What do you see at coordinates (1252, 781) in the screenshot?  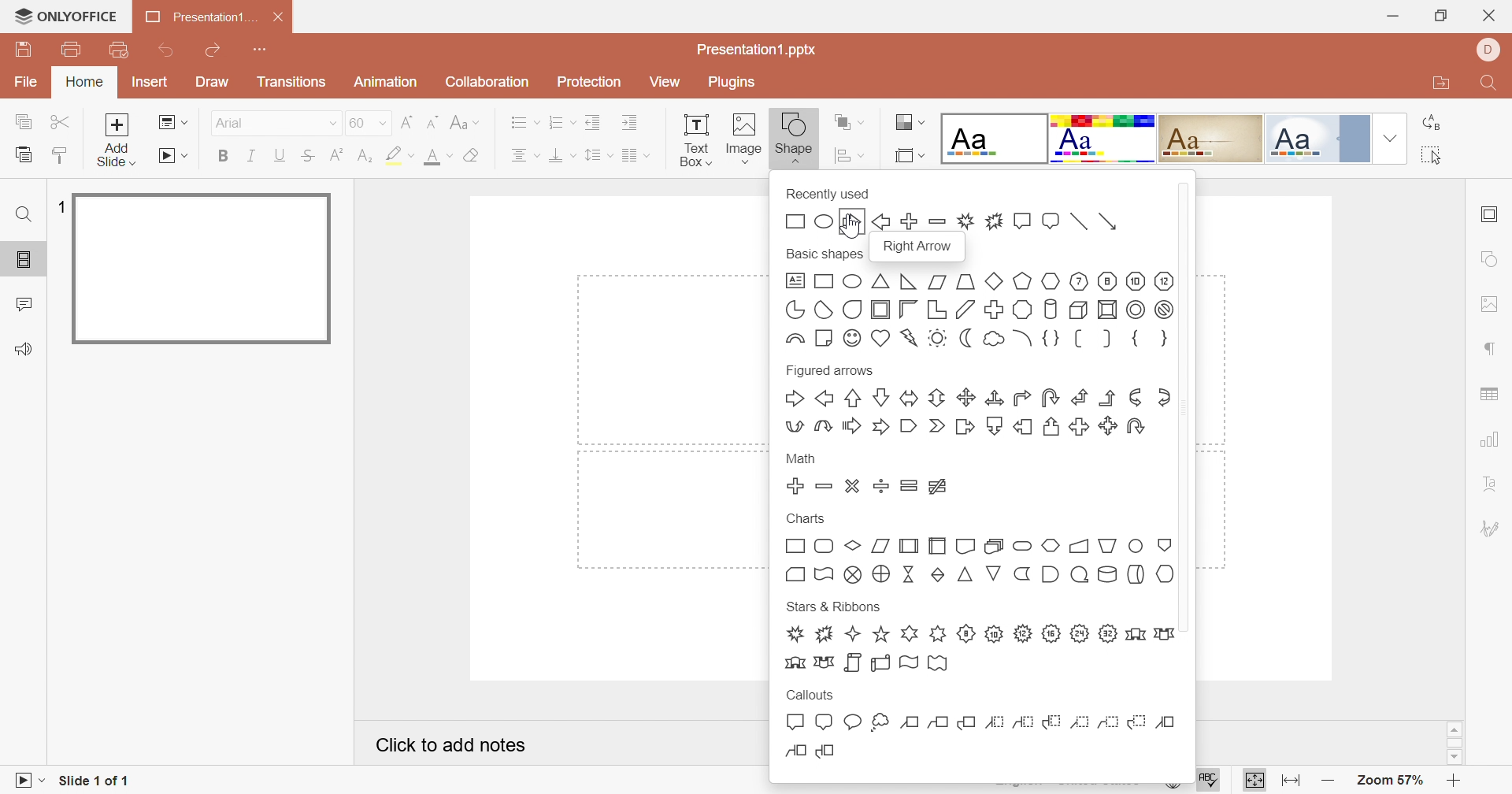 I see `Fit to slide` at bounding box center [1252, 781].